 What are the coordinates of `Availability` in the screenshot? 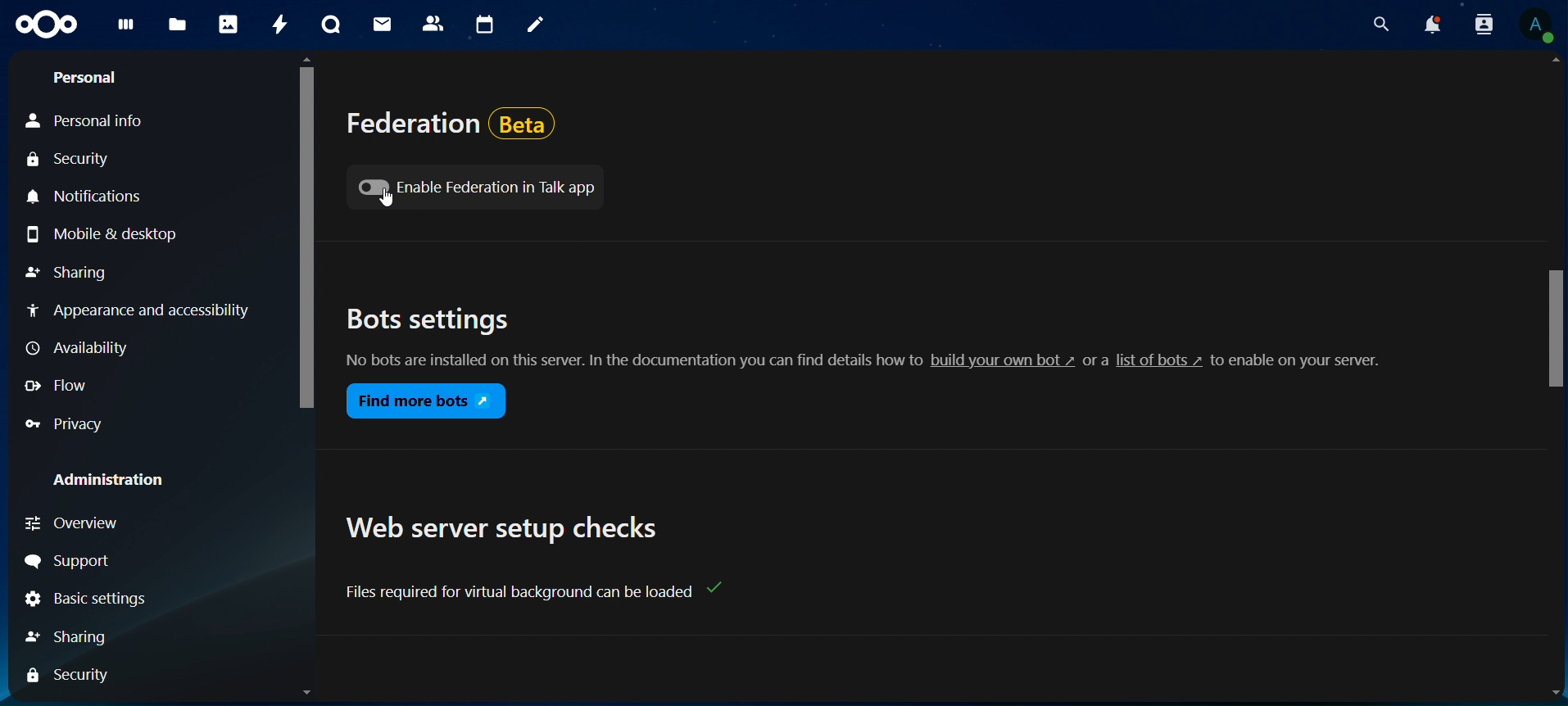 It's located at (74, 348).